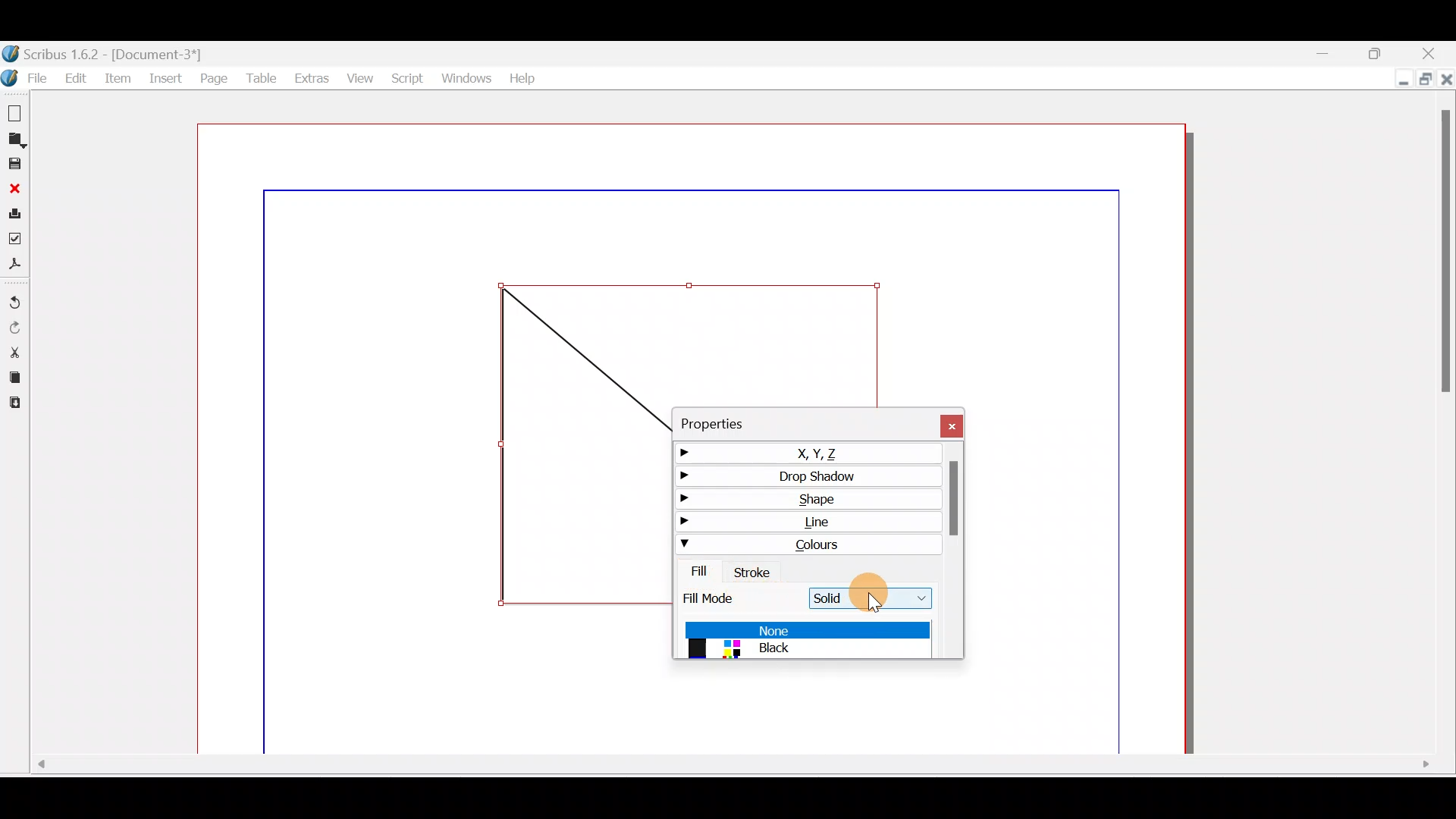  I want to click on Properties, so click(745, 421).